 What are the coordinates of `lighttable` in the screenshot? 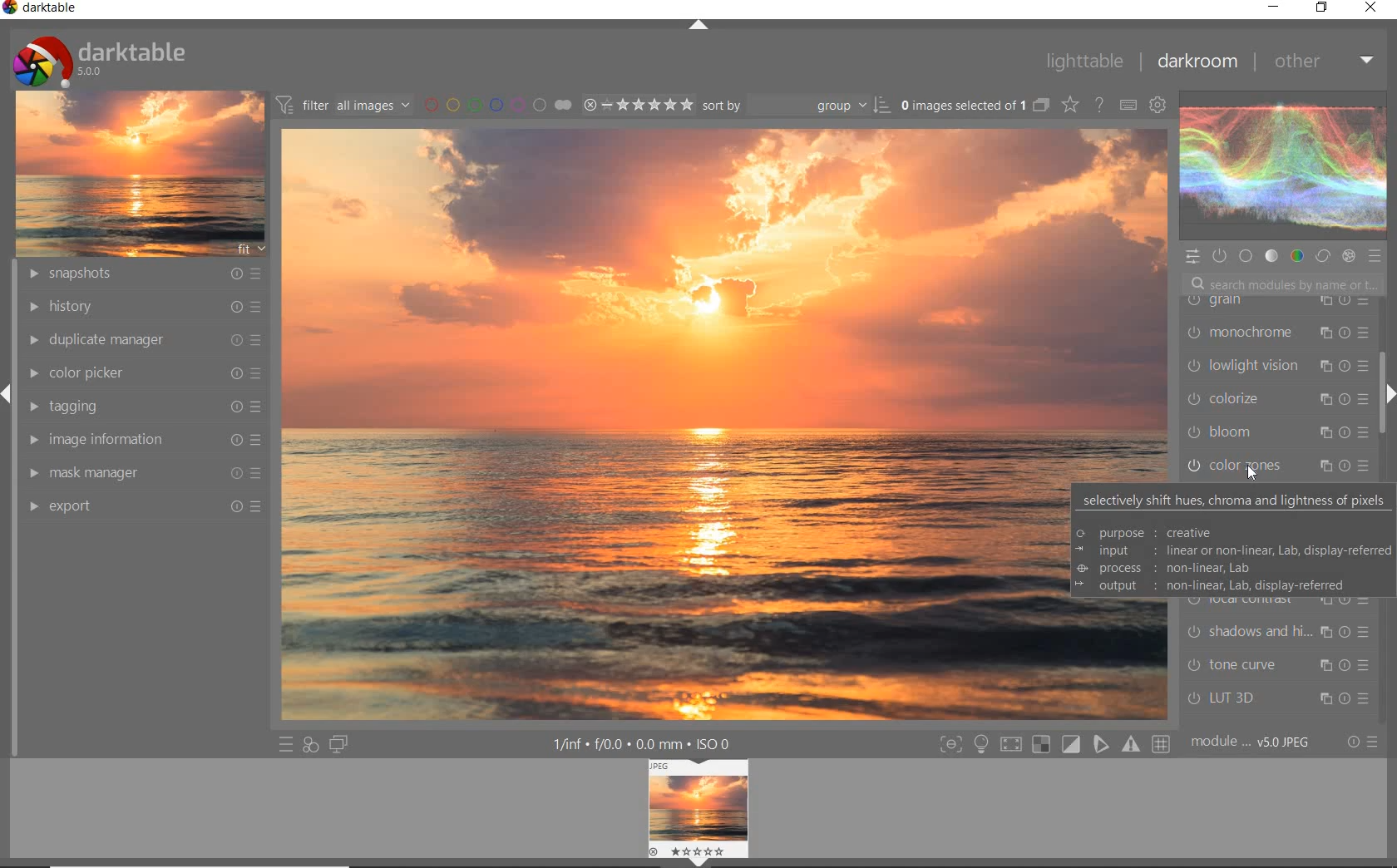 It's located at (1083, 61).